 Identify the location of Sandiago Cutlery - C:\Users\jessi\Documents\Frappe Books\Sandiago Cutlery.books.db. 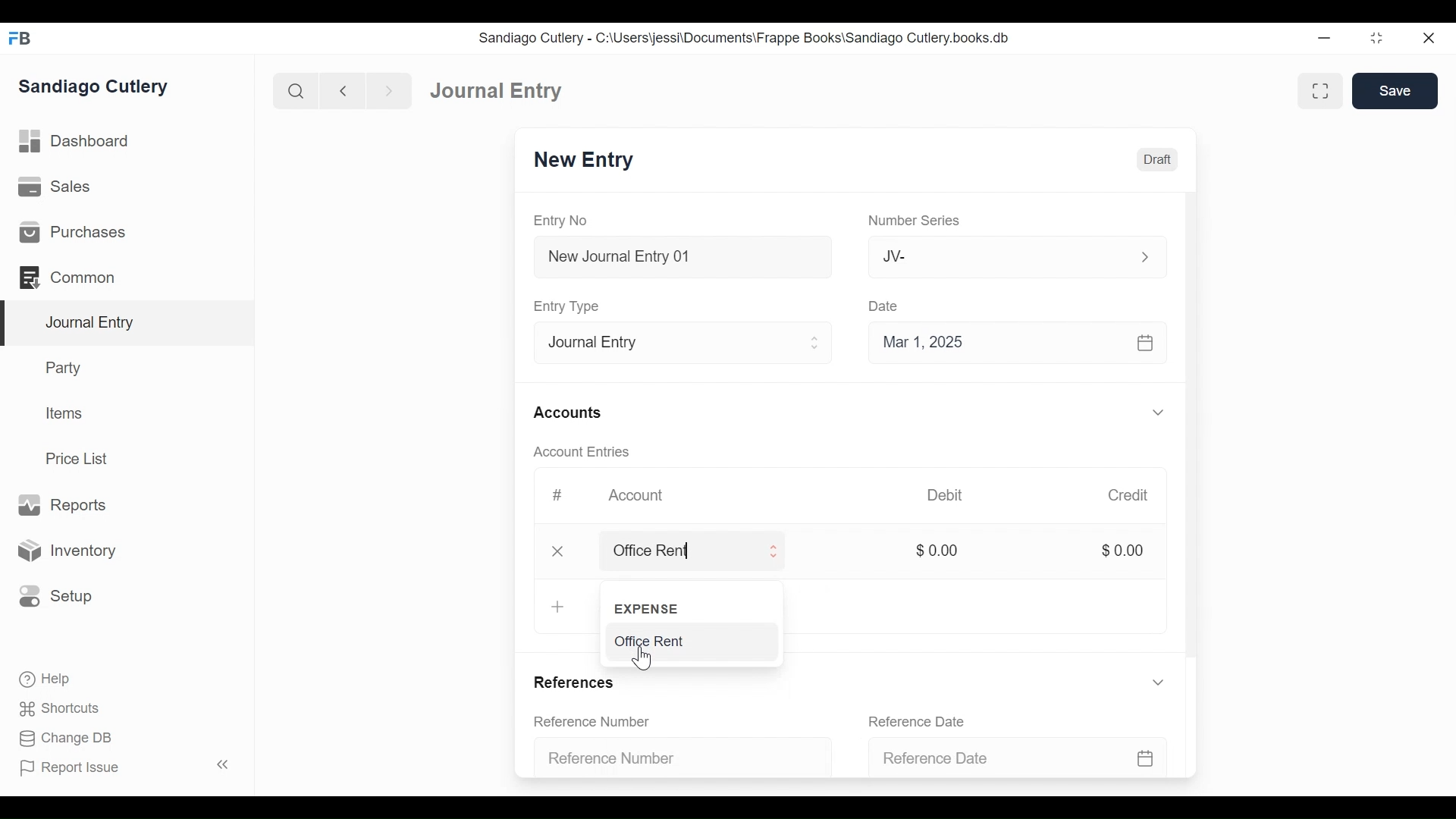
(748, 37).